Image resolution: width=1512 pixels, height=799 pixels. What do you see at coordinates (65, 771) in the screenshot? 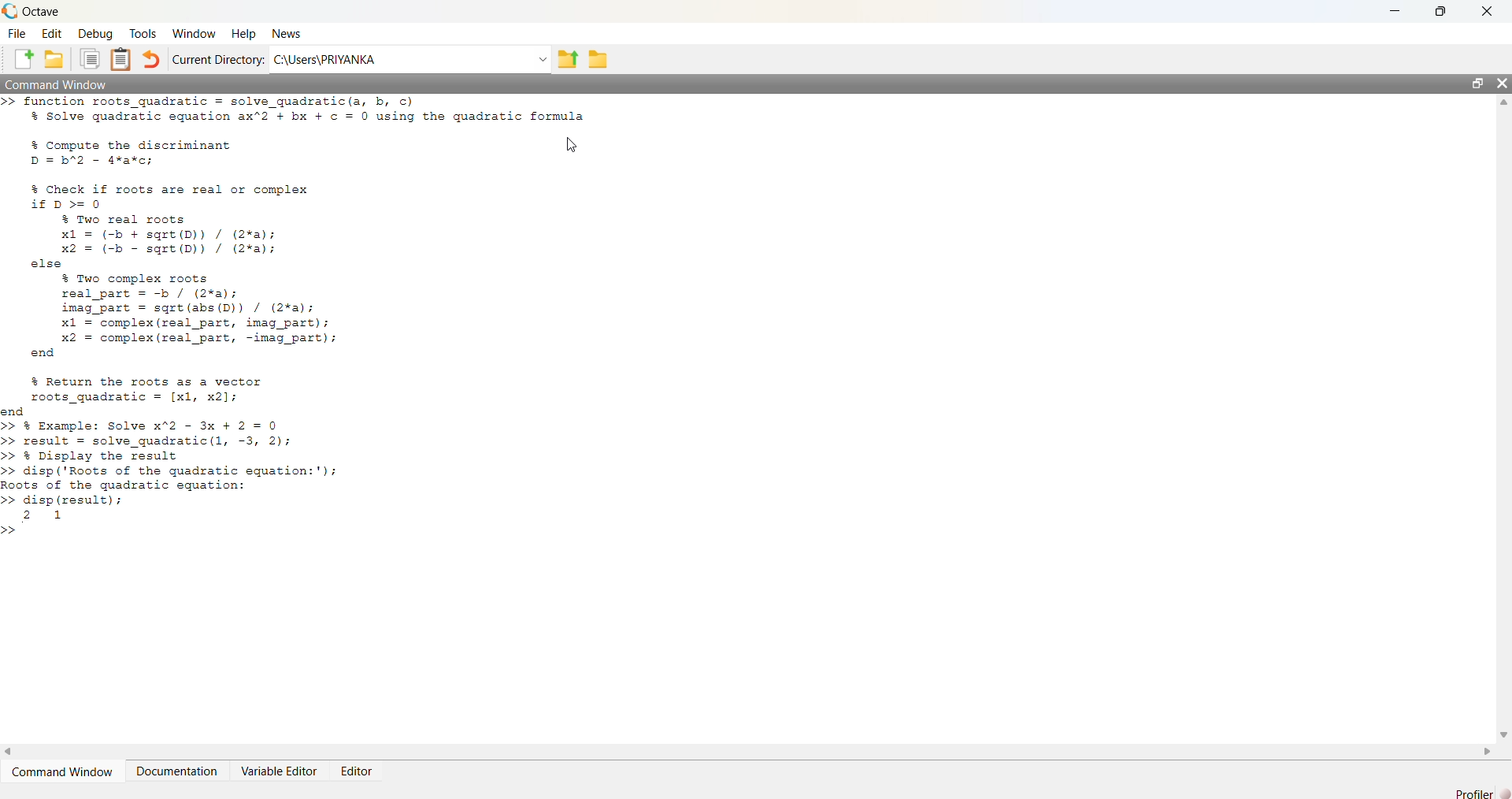
I see `Command Window` at bounding box center [65, 771].